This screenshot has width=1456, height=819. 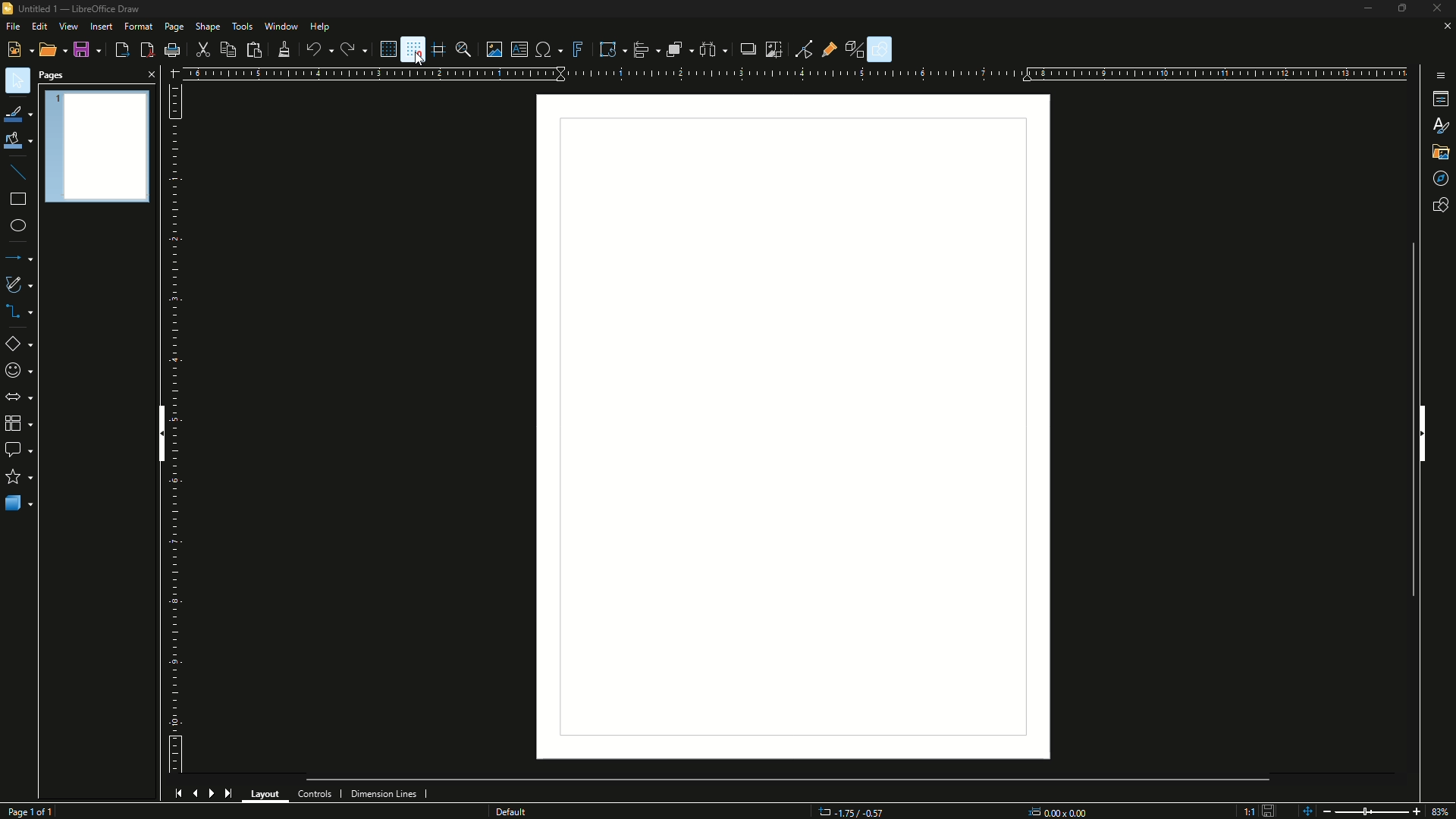 What do you see at coordinates (746, 51) in the screenshot?
I see `Shadow` at bounding box center [746, 51].